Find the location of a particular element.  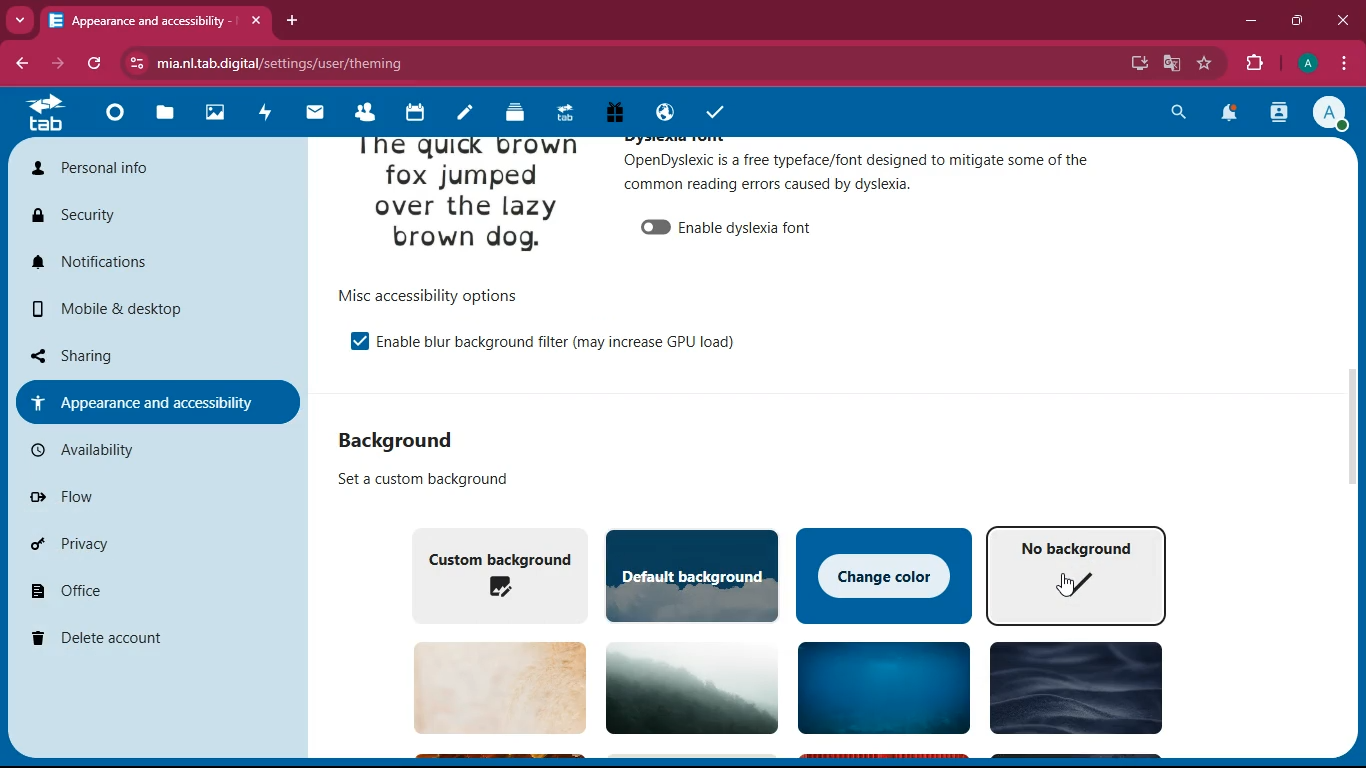

desktop is located at coordinates (1135, 64).